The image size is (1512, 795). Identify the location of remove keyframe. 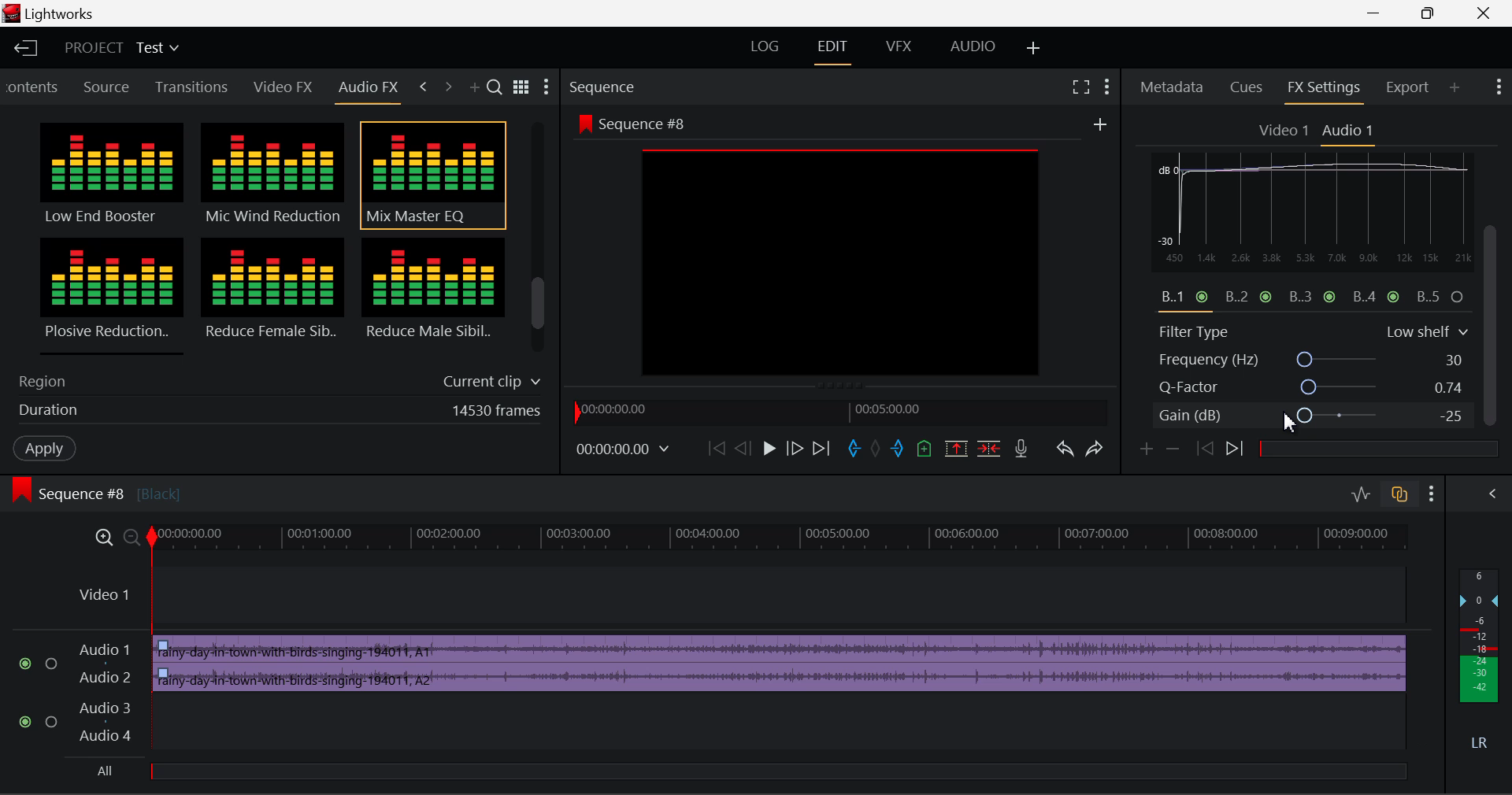
(1177, 449).